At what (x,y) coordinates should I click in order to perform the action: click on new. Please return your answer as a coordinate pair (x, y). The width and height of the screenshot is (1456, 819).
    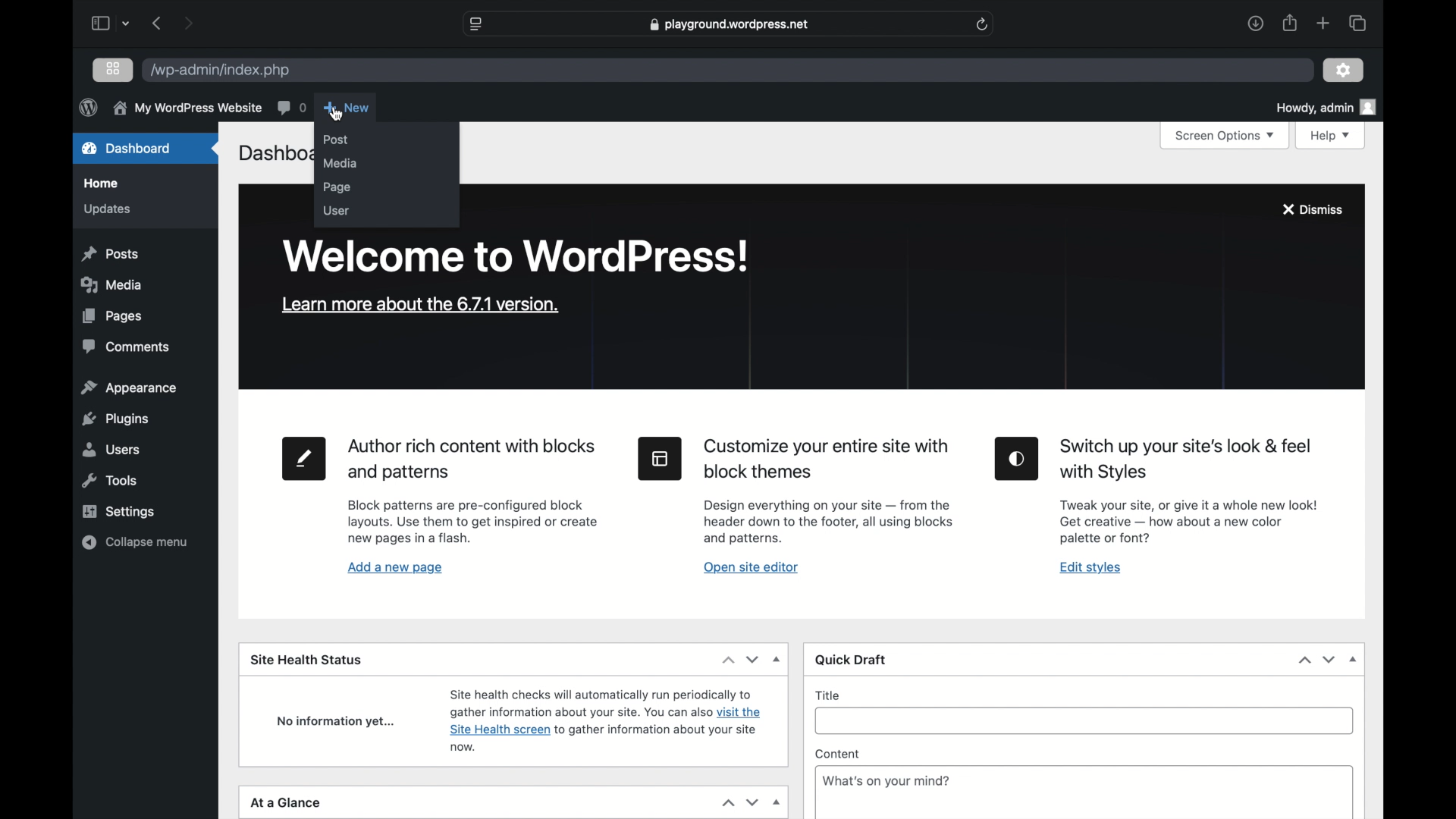
    Looking at the image, I should click on (347, 108).